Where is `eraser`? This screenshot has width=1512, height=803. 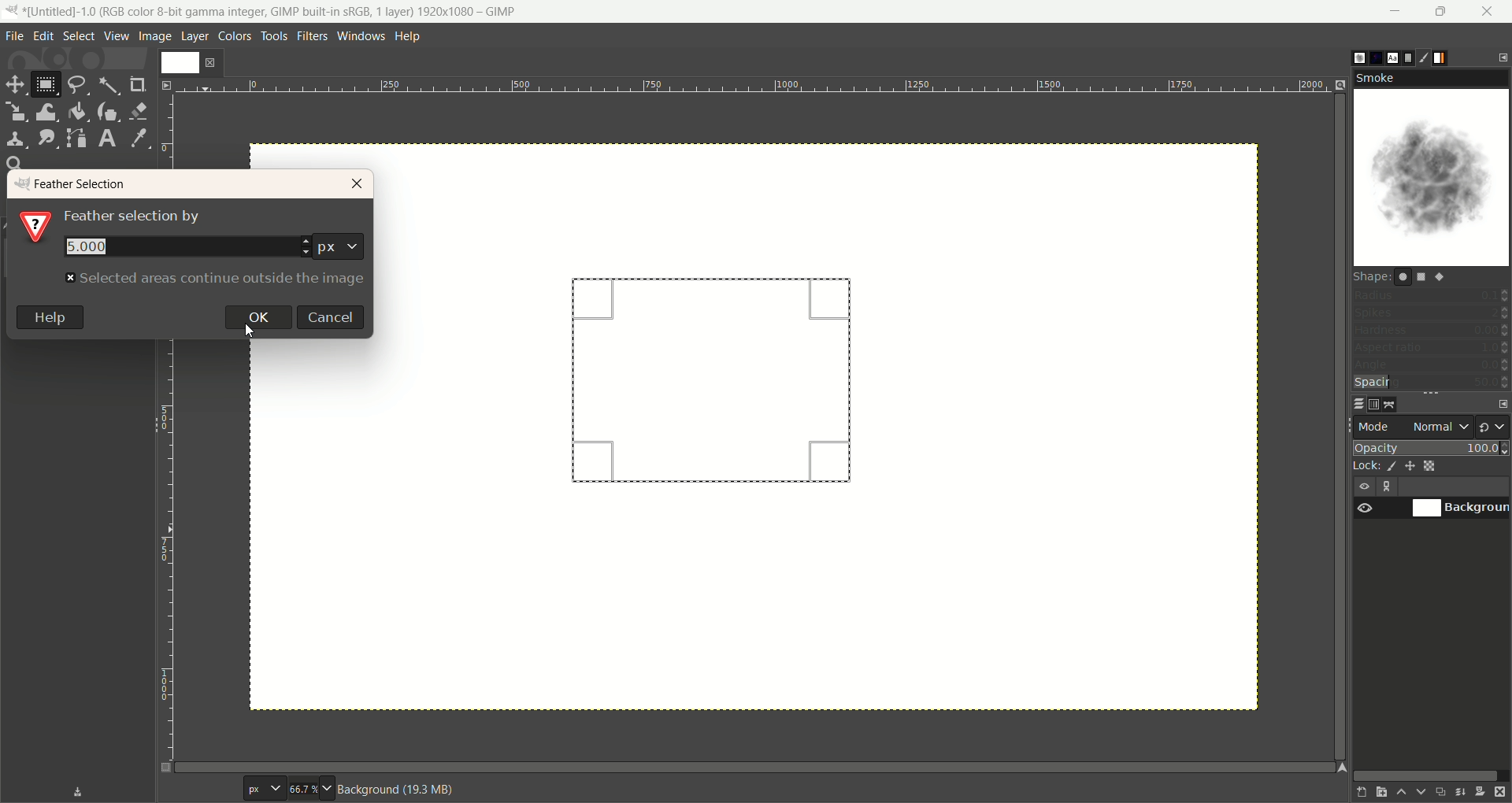 eraser is located at coordinates (139, 110).